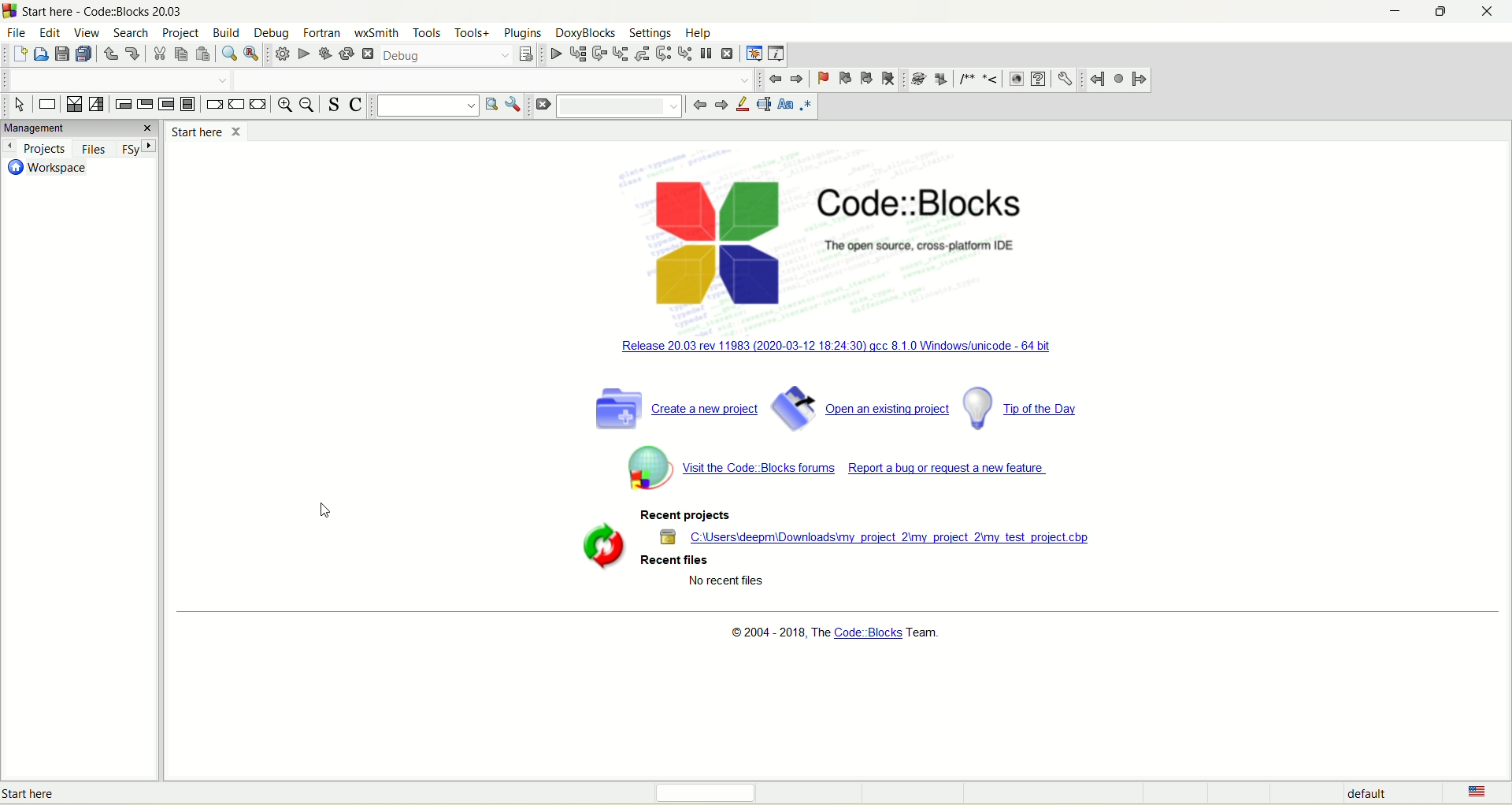 This screenshot has height=805, width=1512. I want to click on preferences, so click(1065, 80).